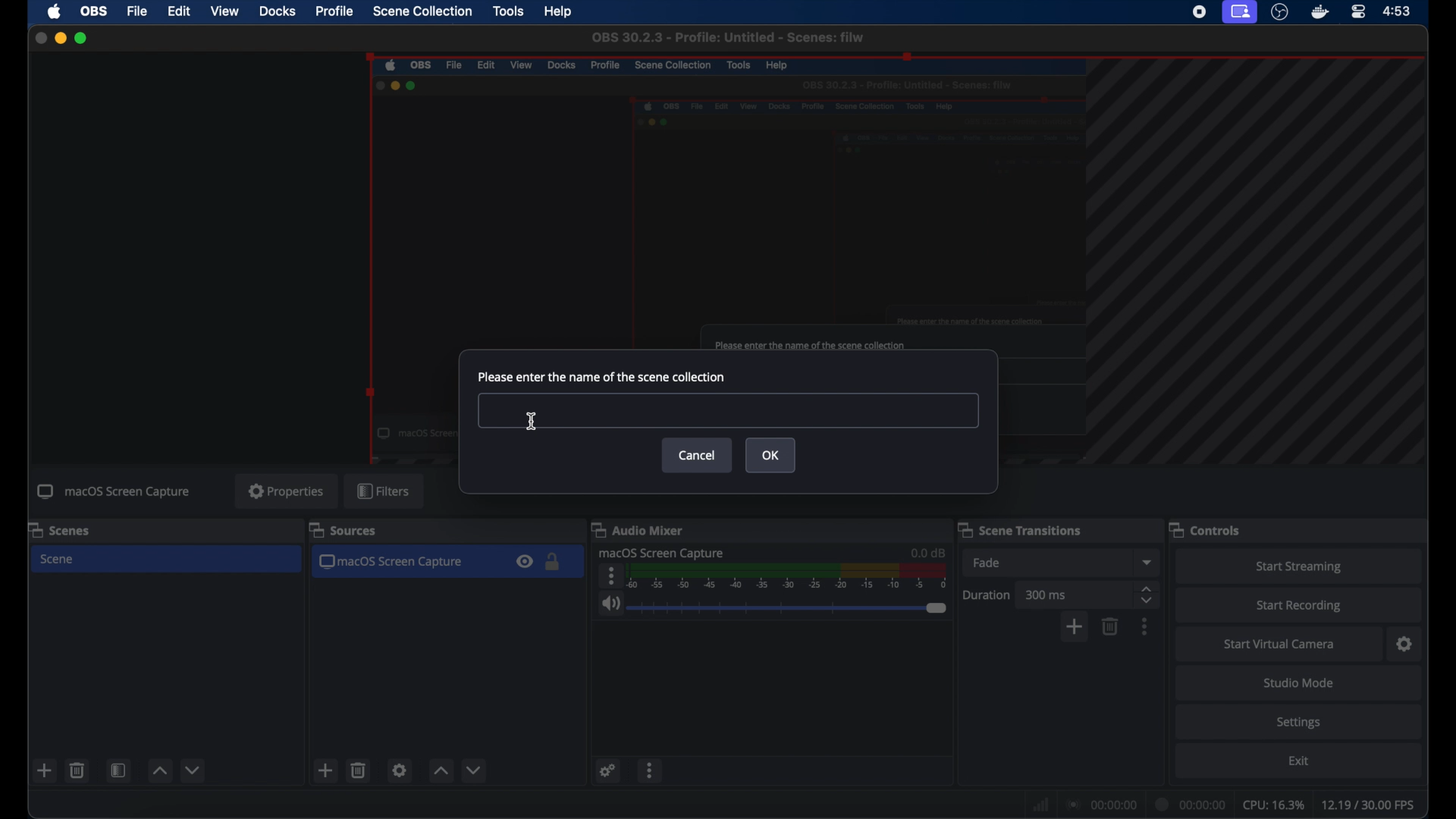 The width and height of the screenshot is (1456, 819). Describe the element at coordinates (1046, 594) in the screenshot. I see `300 ms` at that location.